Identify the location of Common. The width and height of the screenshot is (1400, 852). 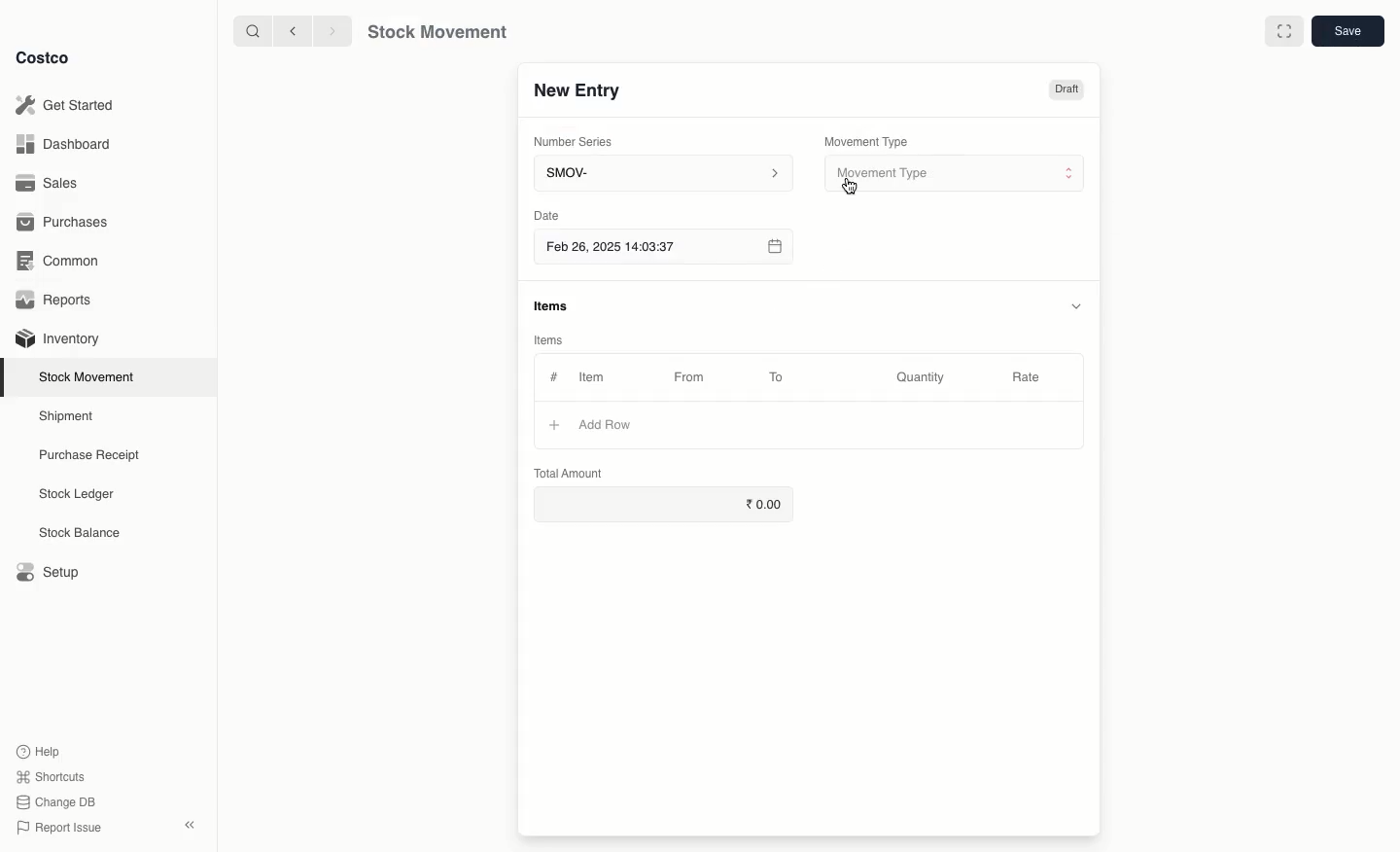
(63, 263).